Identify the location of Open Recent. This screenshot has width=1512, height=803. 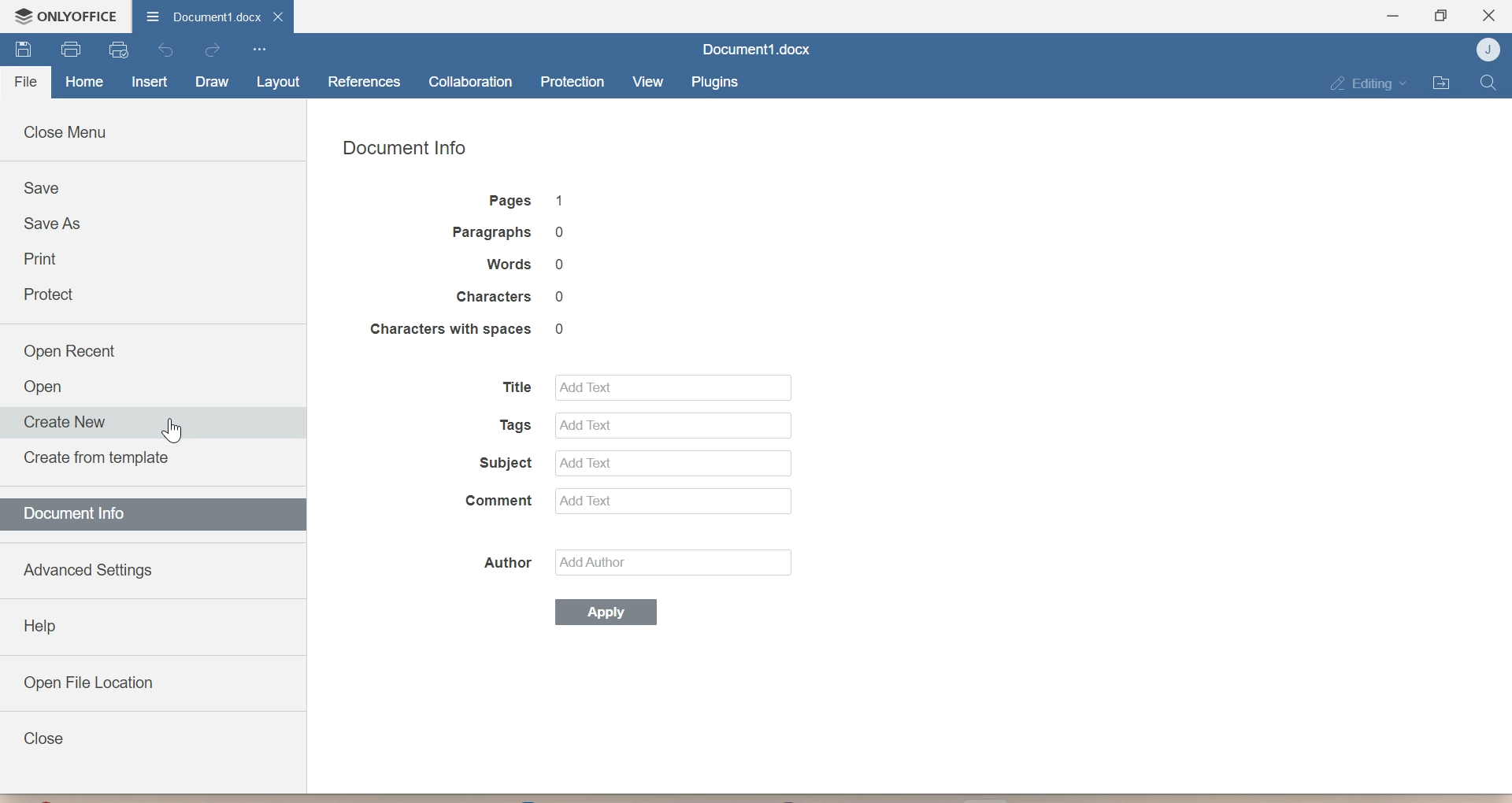
(73, 349).